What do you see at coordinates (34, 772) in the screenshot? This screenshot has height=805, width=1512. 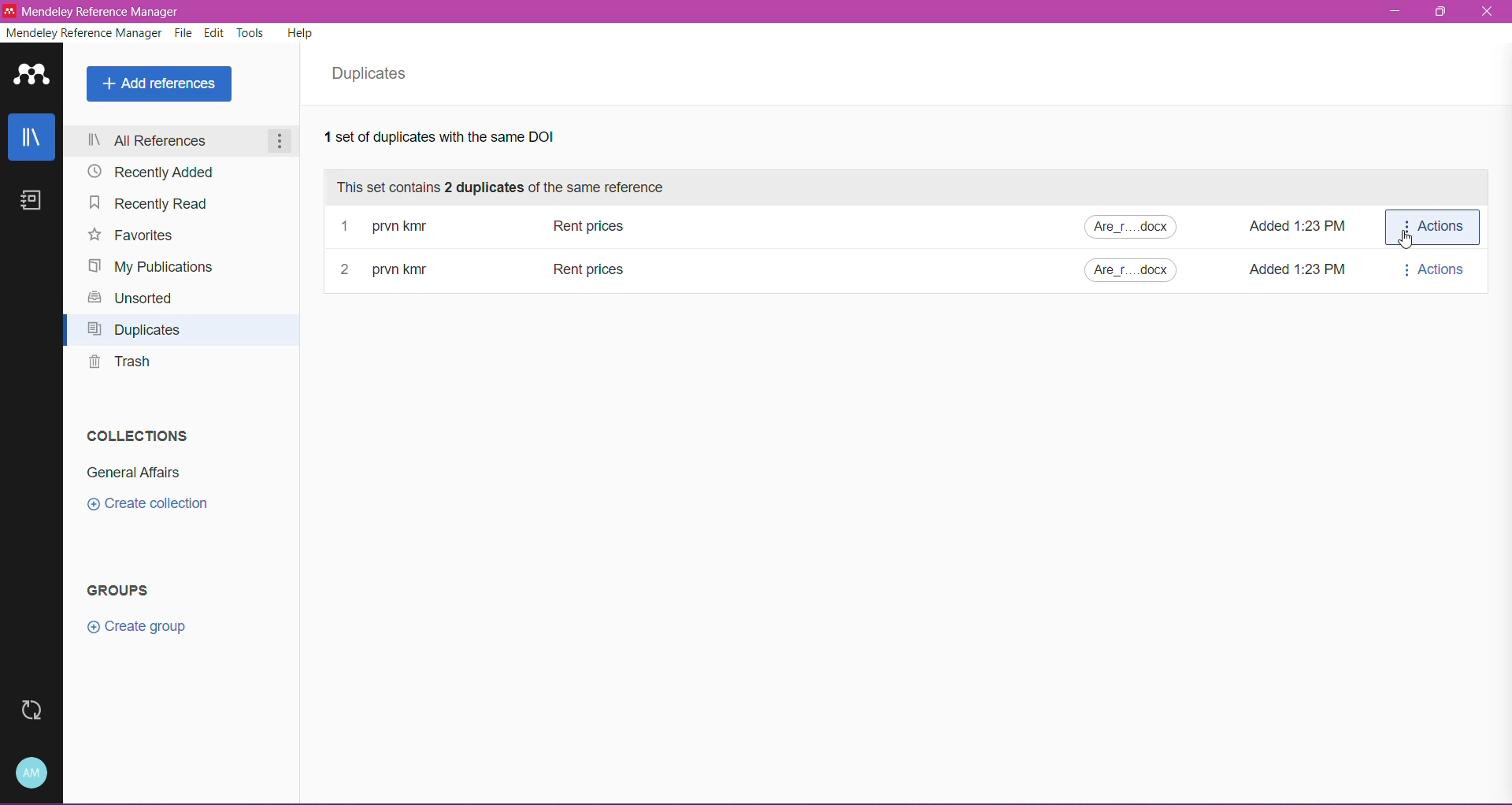 I see `Account and Help` at bounding box center [34, 772].